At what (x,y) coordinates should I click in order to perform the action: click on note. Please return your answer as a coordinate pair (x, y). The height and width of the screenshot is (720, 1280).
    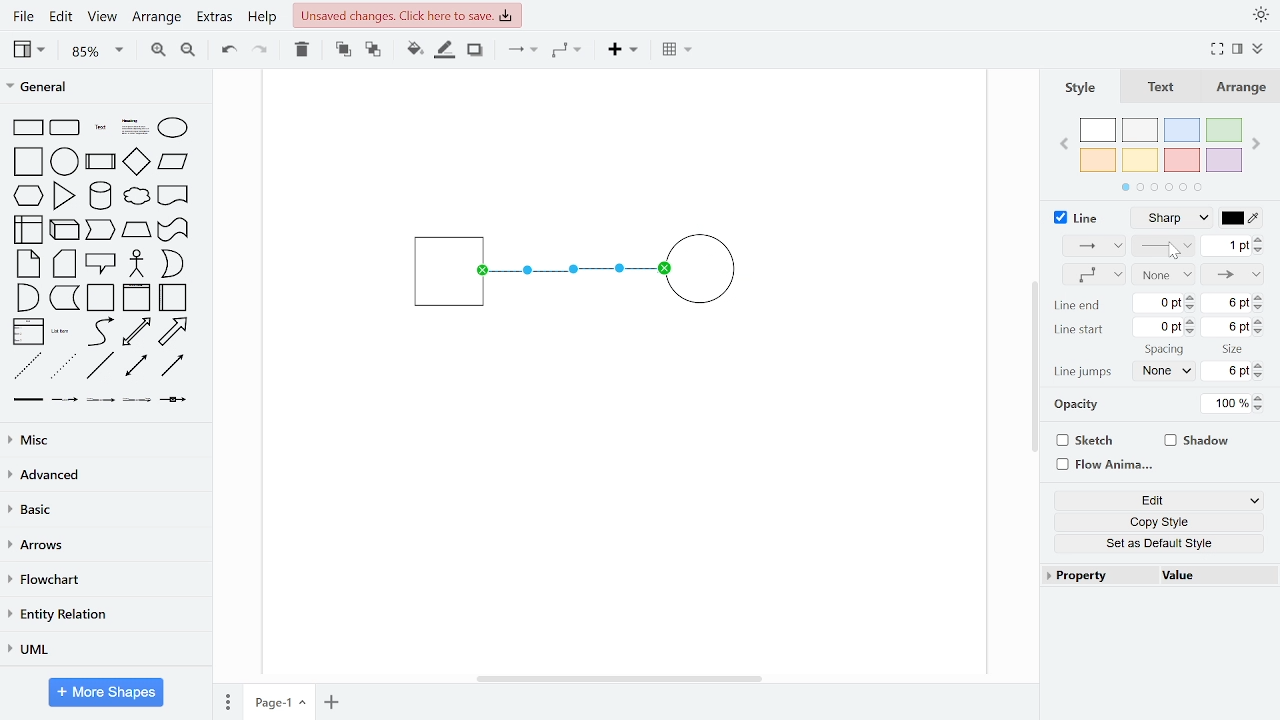
    Looking at the image, I should click on (30, 263).